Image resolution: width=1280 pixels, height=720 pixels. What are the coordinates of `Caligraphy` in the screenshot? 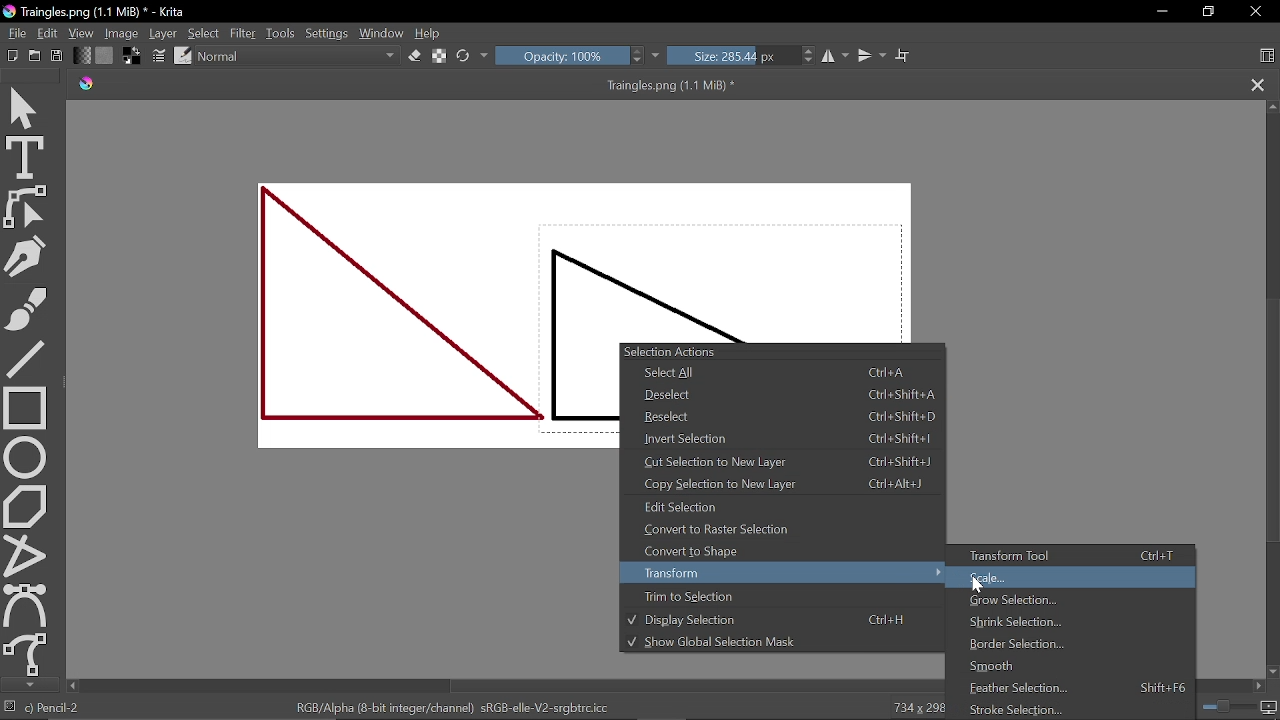 It's located at (26, 254).